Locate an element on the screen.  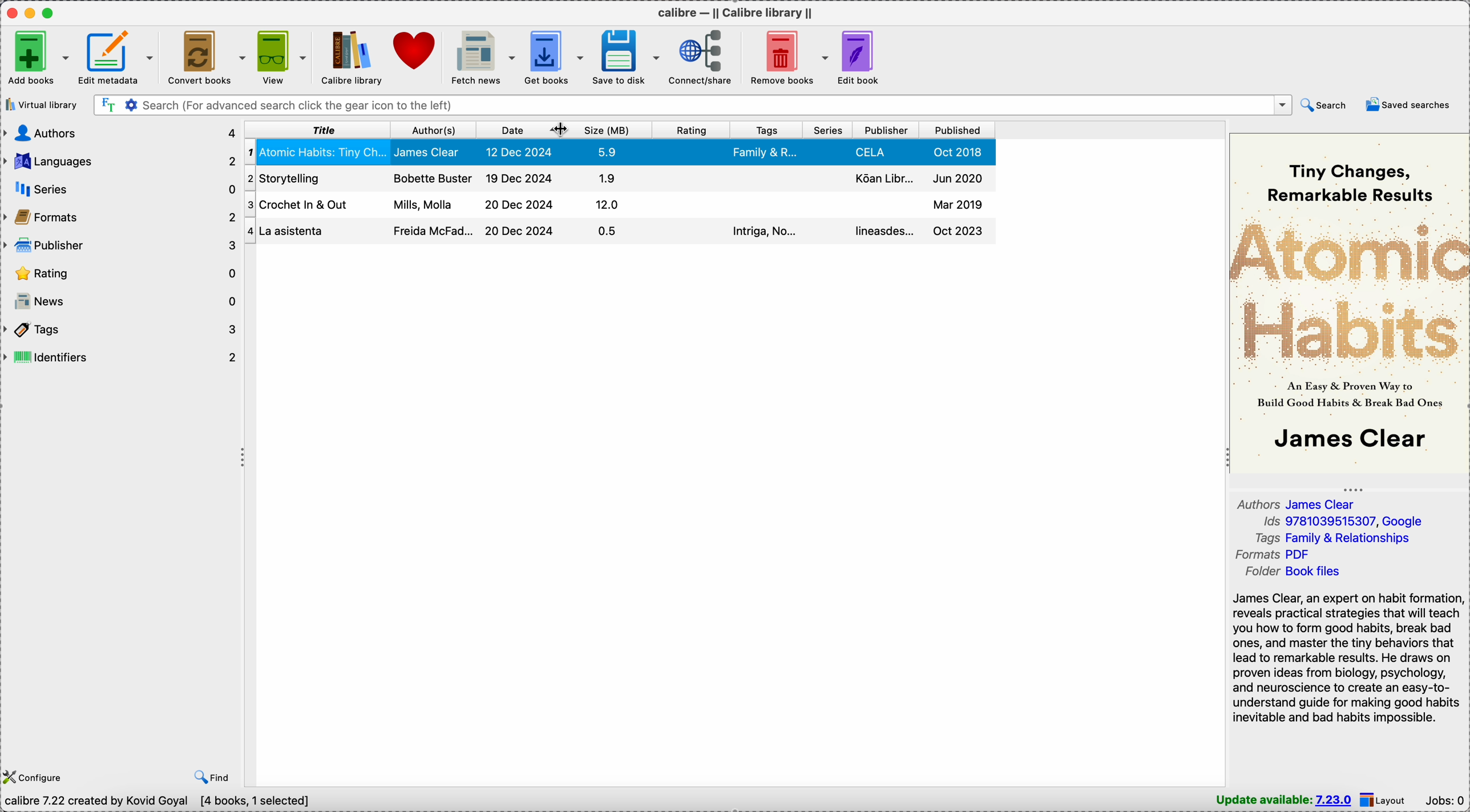
authors James Clear is located at coordinates (1298, 503).